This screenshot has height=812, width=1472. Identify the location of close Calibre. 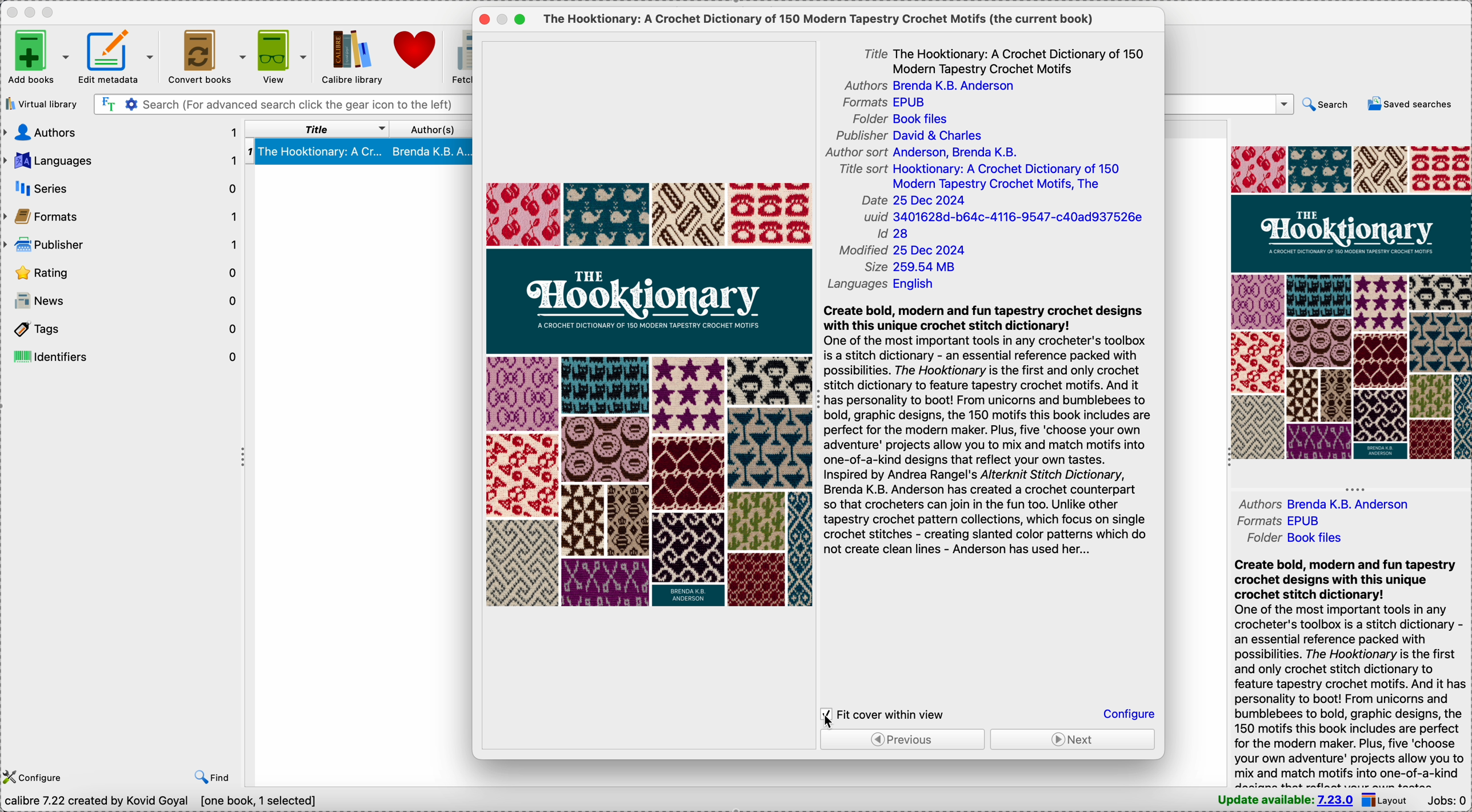
(12, 13).